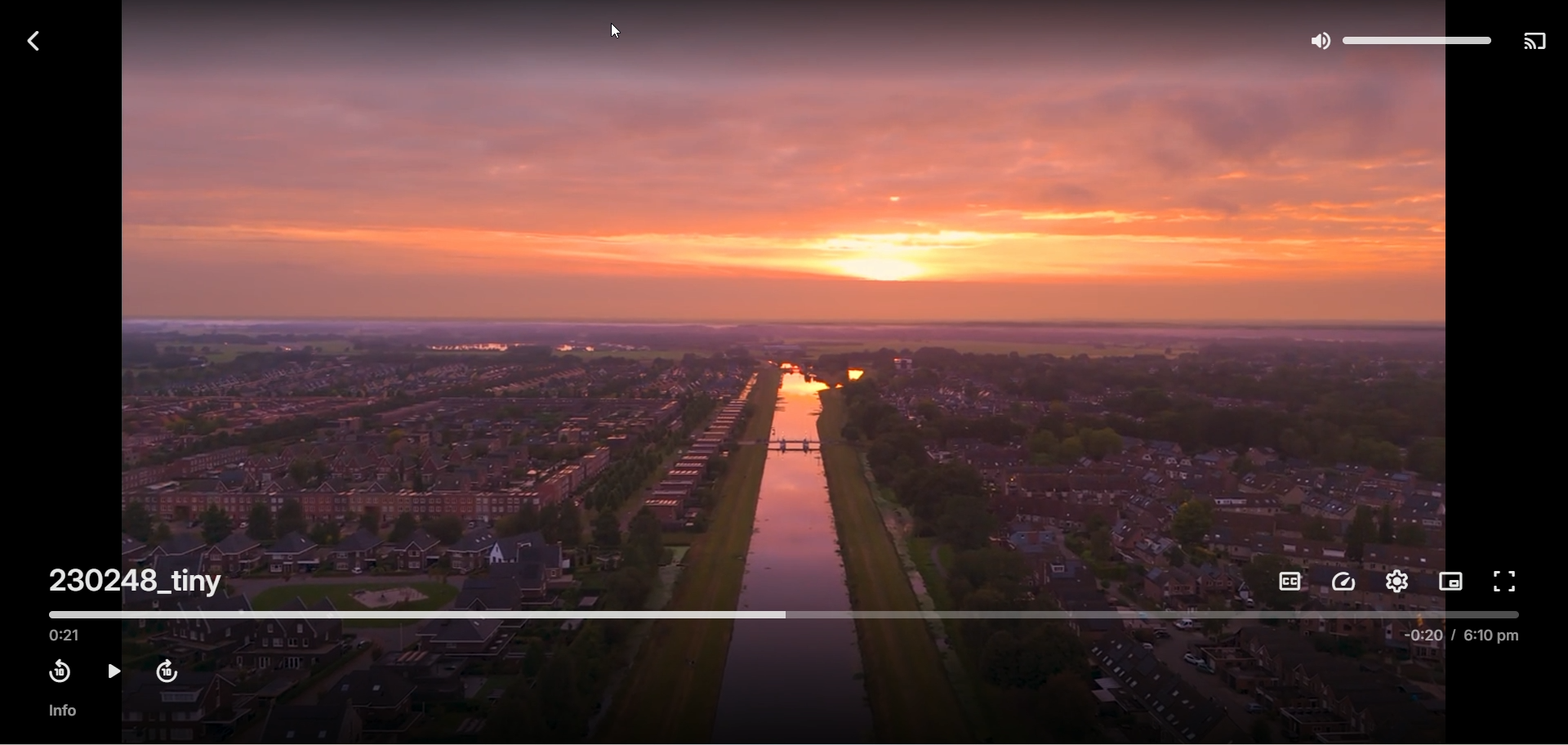 Image resolution: width=1568 pixels, height=745 pixels. What do you see at coordinates (1535, 43) in the screenshot?
I see `play on another device` at bounding box center [1535, 43].